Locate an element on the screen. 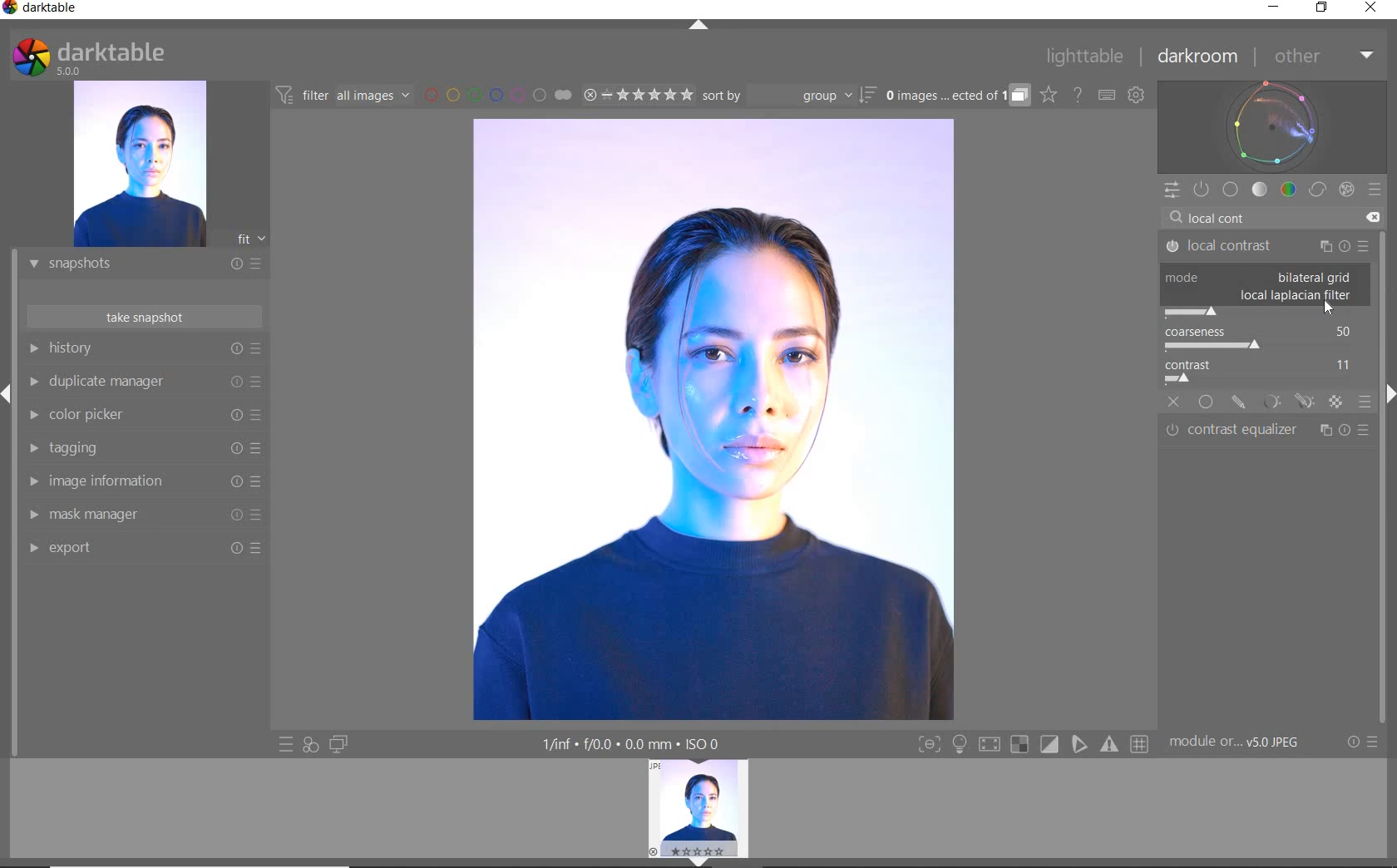 This screenshot has width=1397, height=868. detail is located at coordinates (1191, 311).